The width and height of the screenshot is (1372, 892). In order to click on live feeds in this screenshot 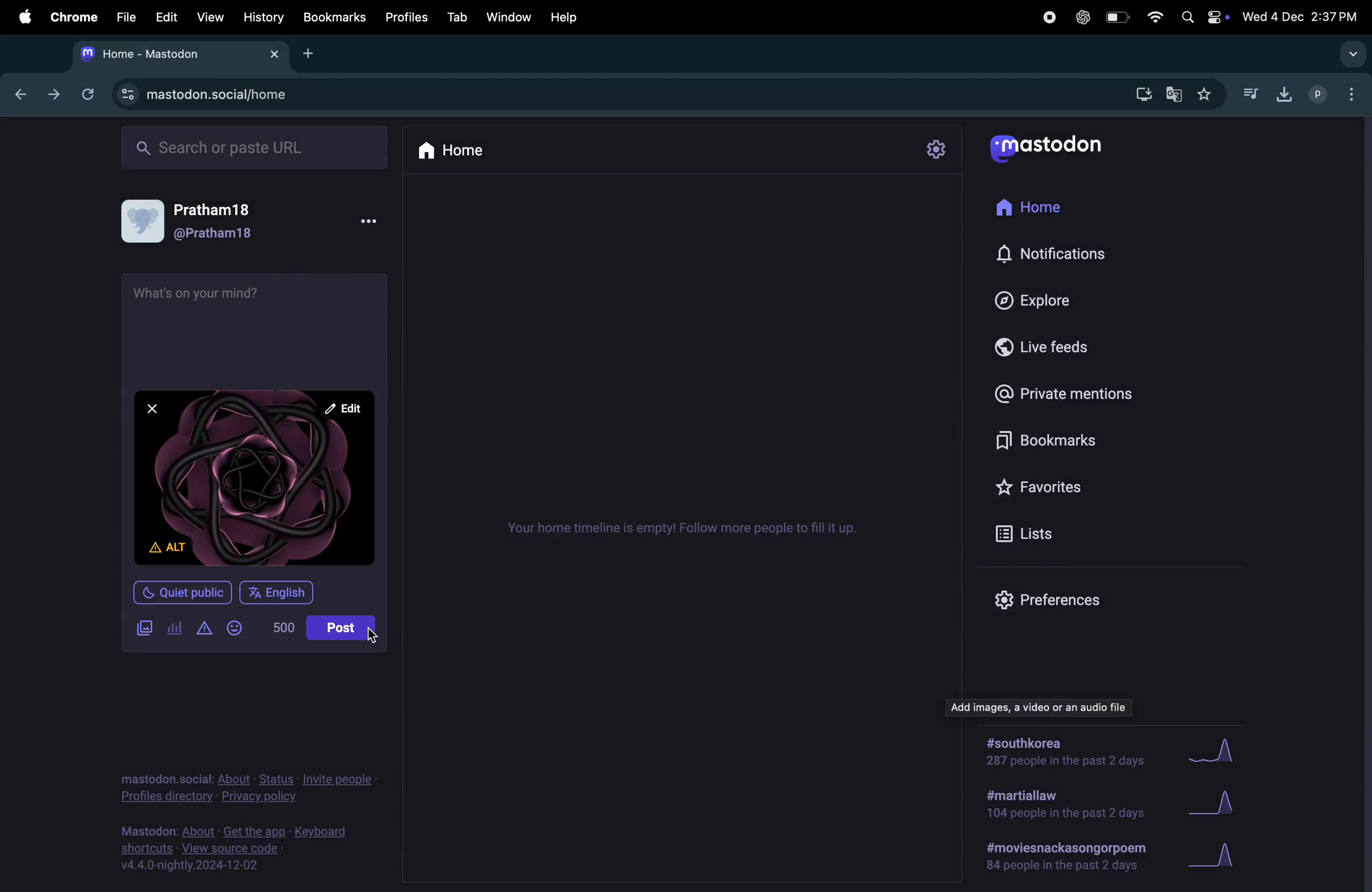, I will do `click(1051, 345)`.